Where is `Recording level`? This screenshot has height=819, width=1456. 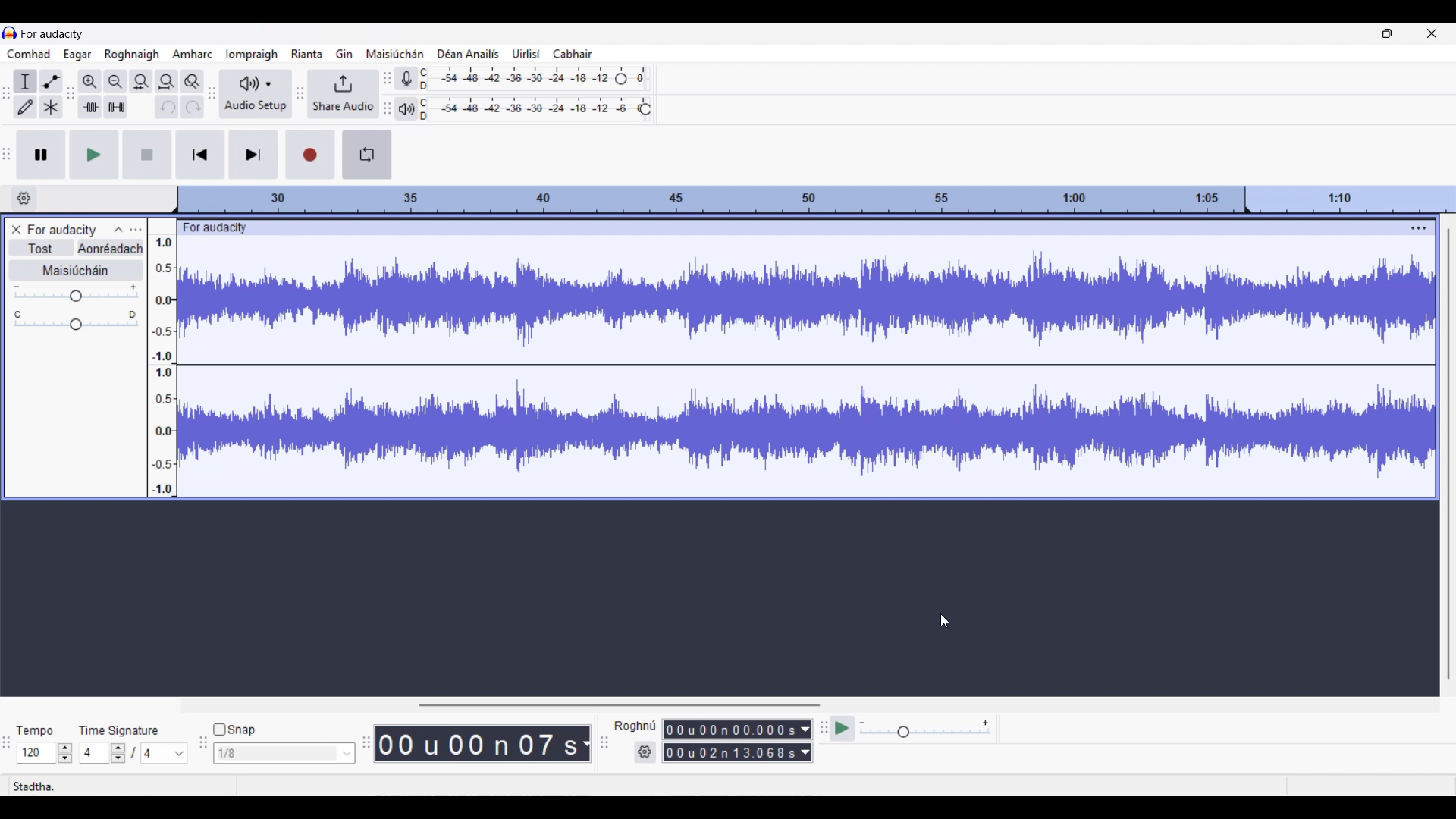
Recording level is located at coordinates (517, 76).